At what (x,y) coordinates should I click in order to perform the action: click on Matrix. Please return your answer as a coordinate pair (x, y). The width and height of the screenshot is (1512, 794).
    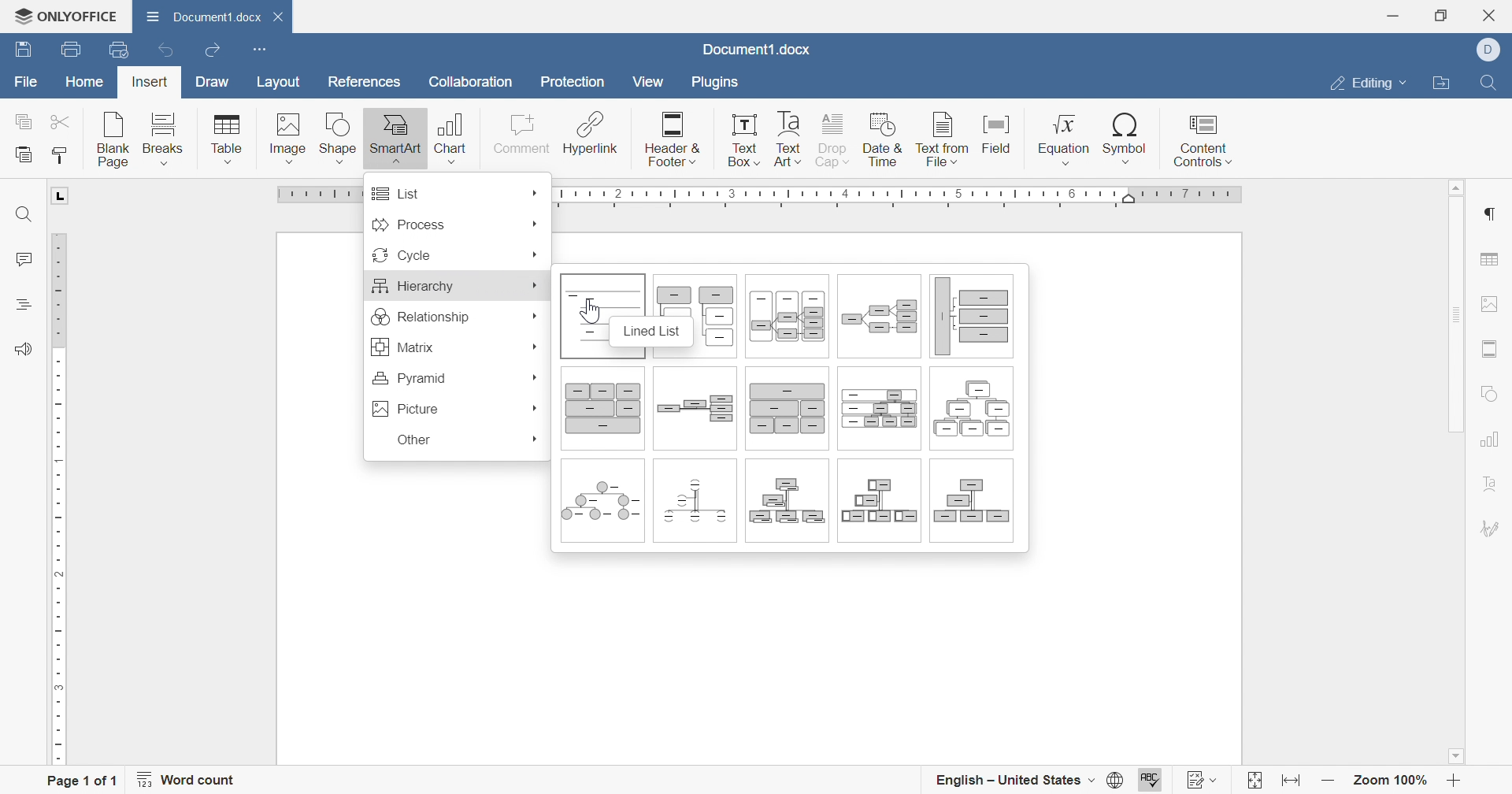
    Looking at the image, I should click on (403, 348).